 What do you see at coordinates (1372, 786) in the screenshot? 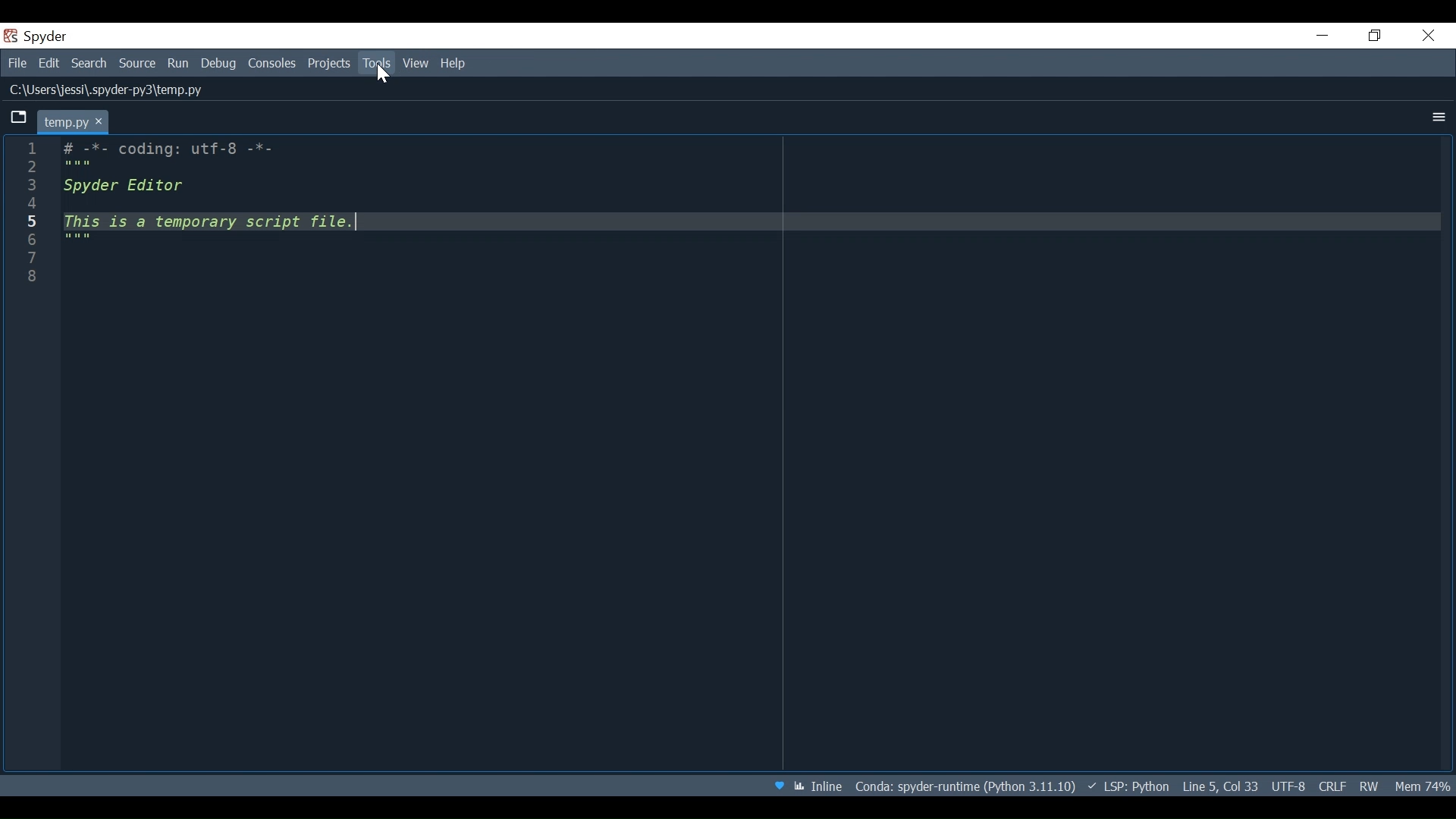
I see `File Permission` at bounding box center [1372, 786].